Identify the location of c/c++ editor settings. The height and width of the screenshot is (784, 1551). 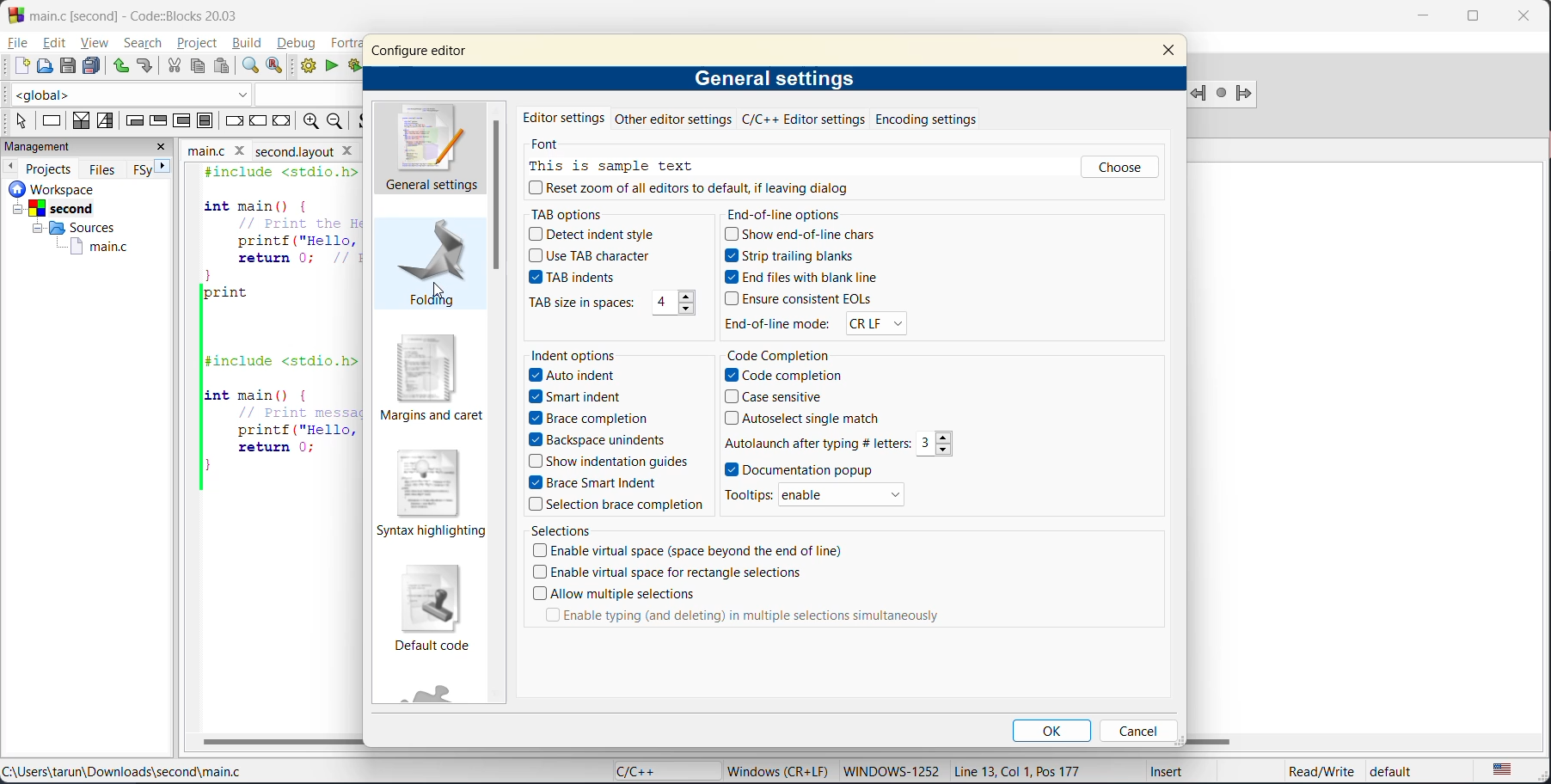
(803, 121).